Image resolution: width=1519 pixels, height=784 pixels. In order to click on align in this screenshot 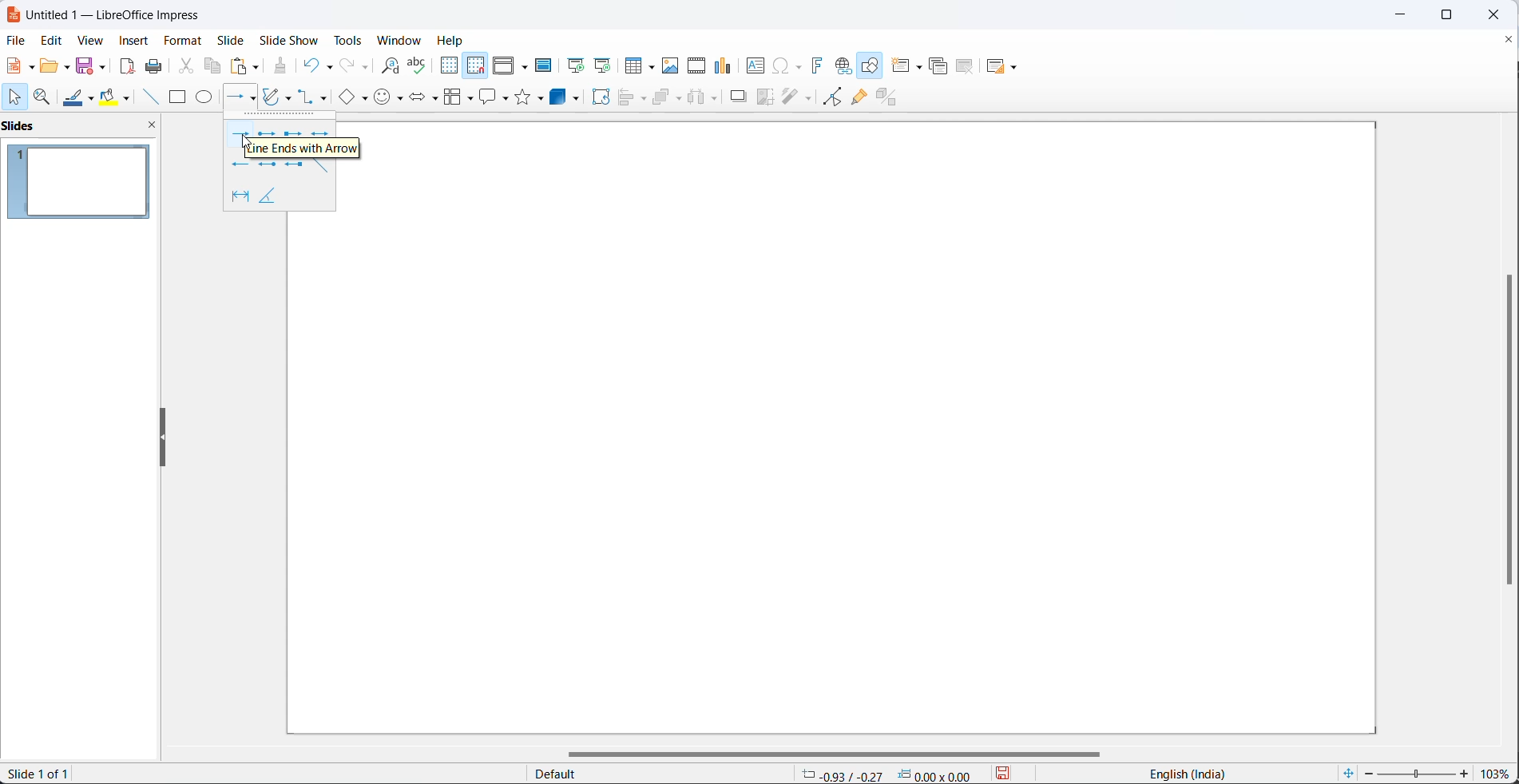, I will do `click(634, 98)`.